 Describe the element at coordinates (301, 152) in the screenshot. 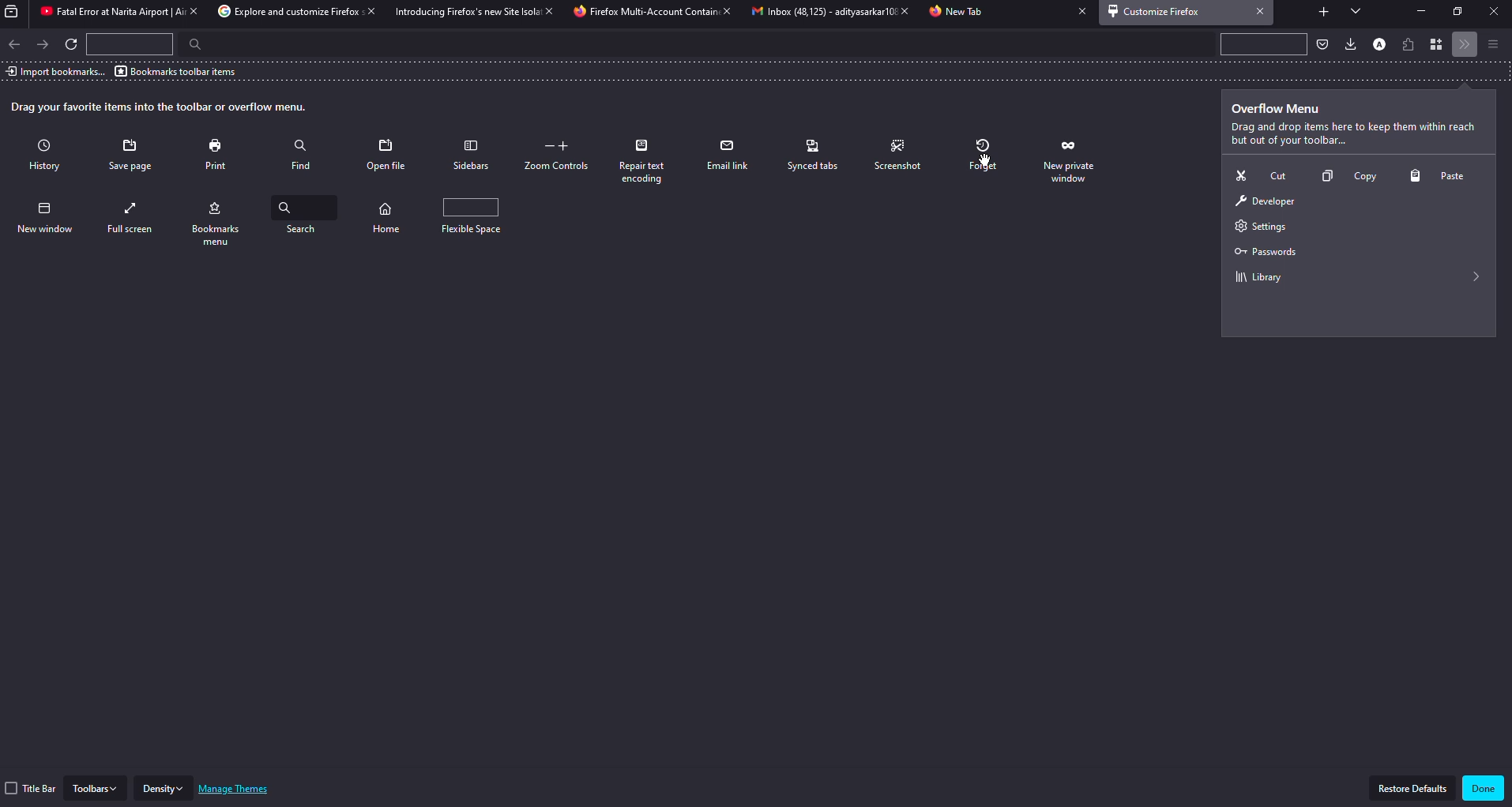

I see `find` at that location.